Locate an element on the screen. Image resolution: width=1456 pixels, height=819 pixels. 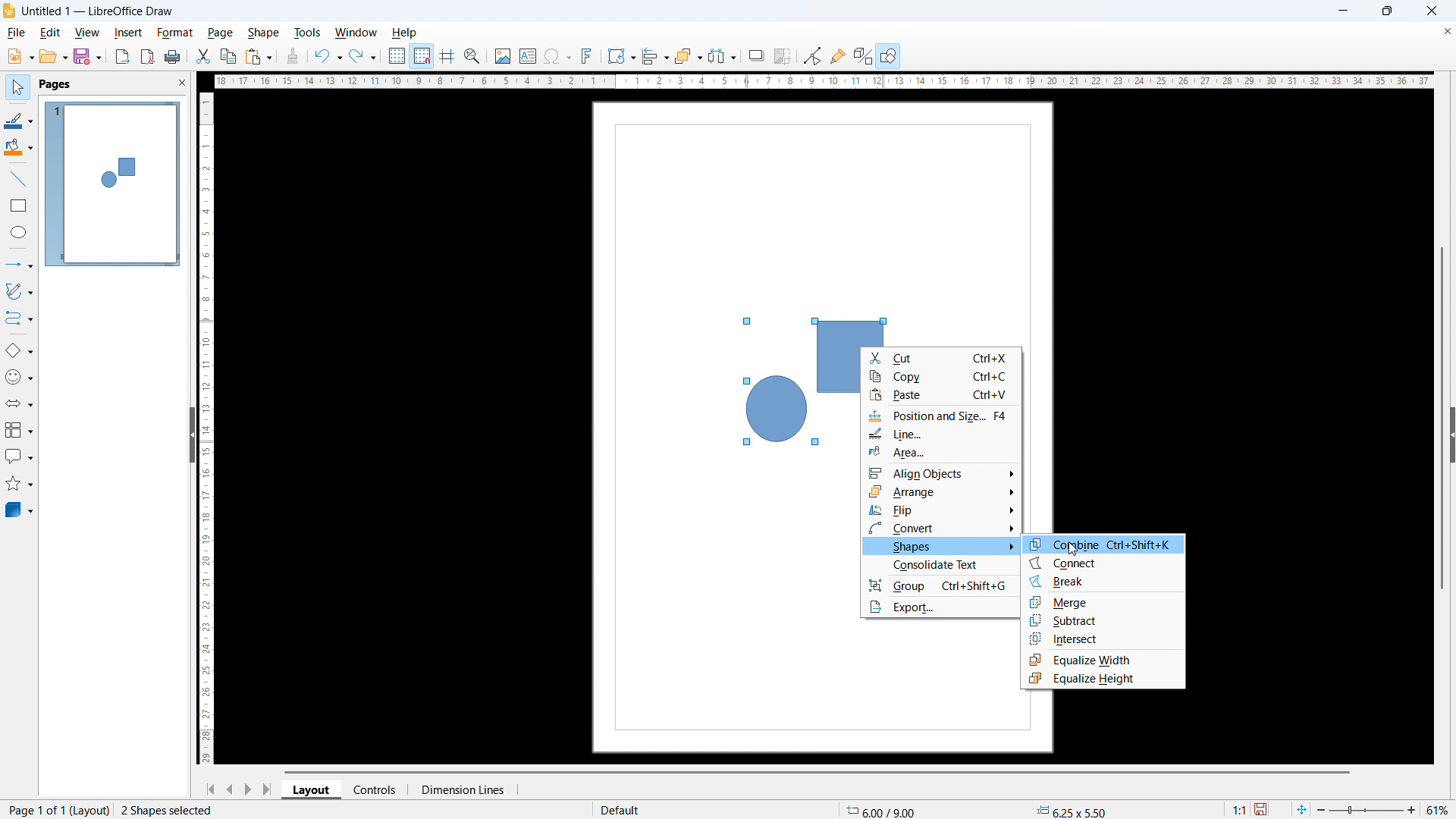
line is located at coordinates (19, 179).